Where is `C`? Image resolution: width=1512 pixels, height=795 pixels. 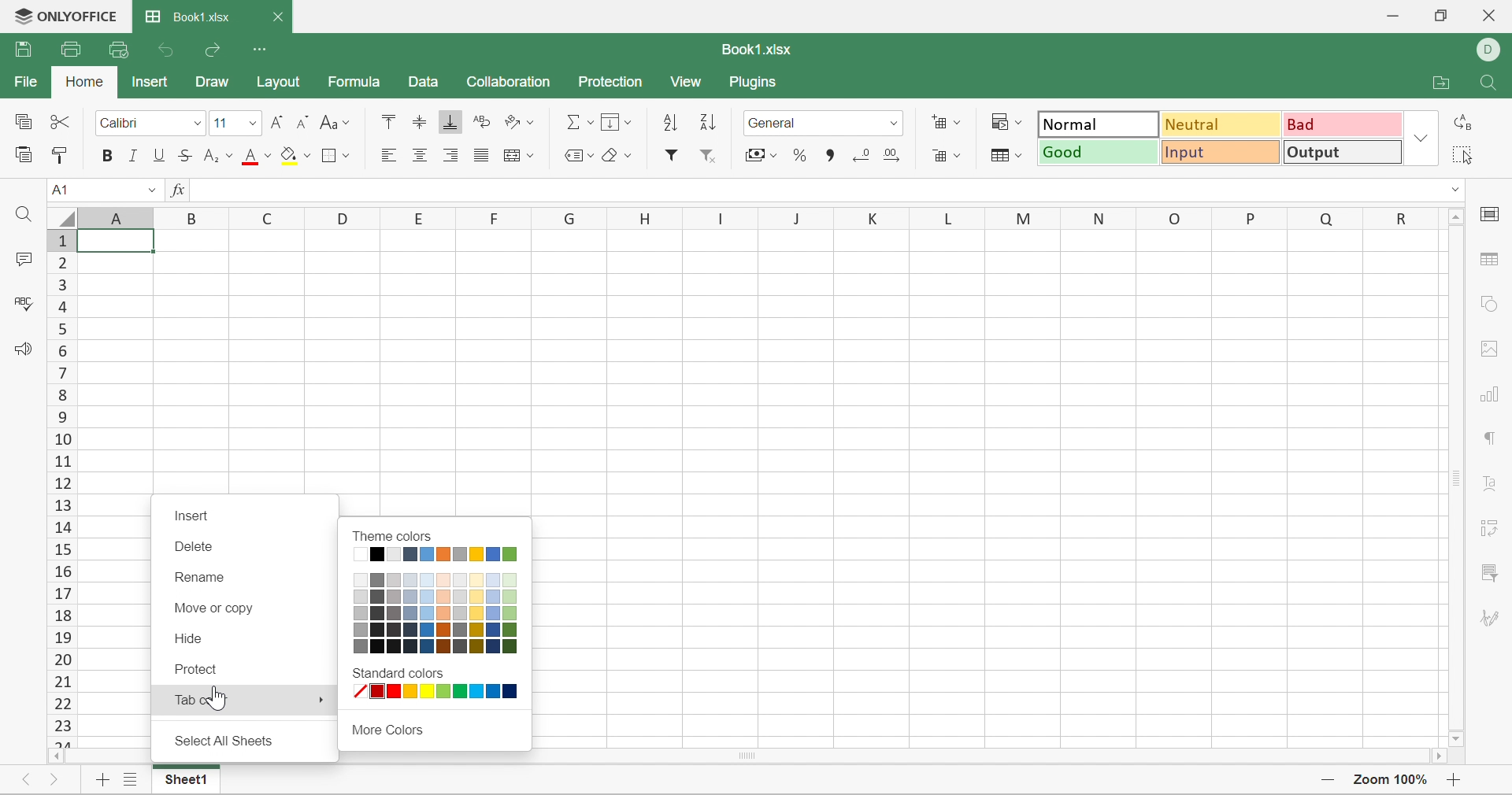
C is located at coordinates (269, 217).